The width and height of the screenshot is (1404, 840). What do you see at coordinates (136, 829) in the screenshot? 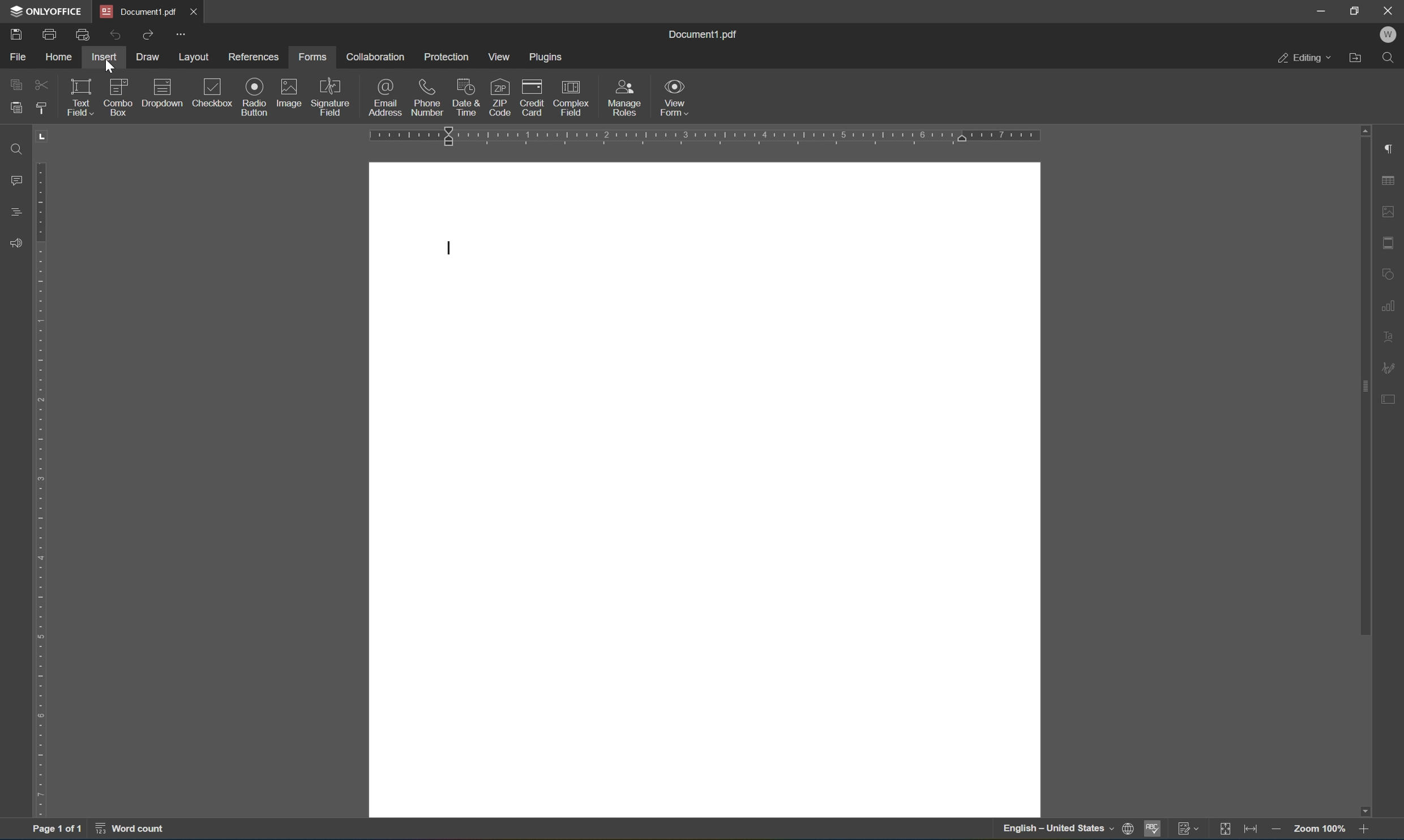
I see `word count` at bounding box center [136, 829].